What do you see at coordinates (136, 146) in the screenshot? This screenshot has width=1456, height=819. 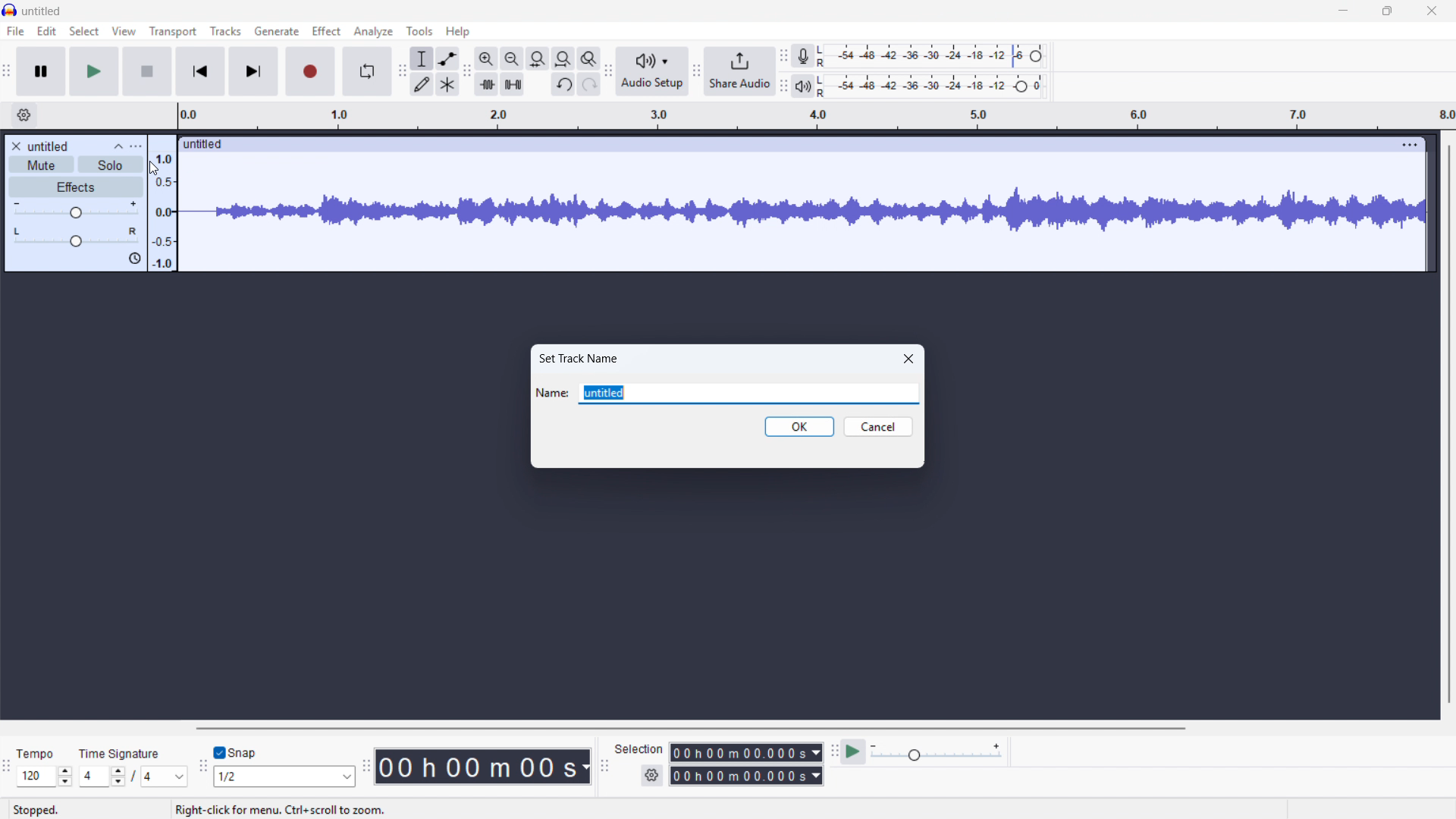 I see `Track control panel menu ` at bounding box center [136, 146].